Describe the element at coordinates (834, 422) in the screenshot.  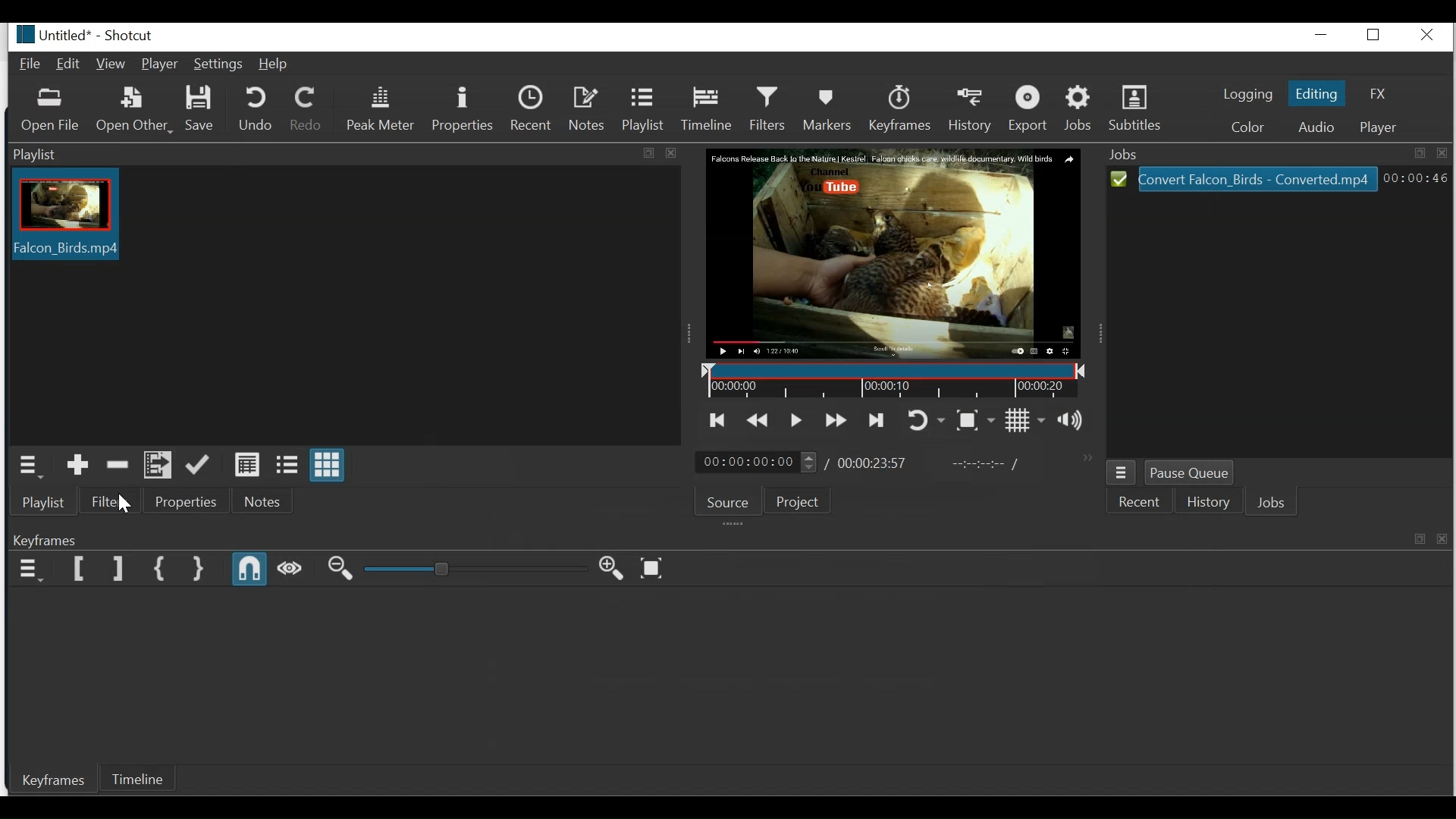
I see `Play quickly forward` at that location.